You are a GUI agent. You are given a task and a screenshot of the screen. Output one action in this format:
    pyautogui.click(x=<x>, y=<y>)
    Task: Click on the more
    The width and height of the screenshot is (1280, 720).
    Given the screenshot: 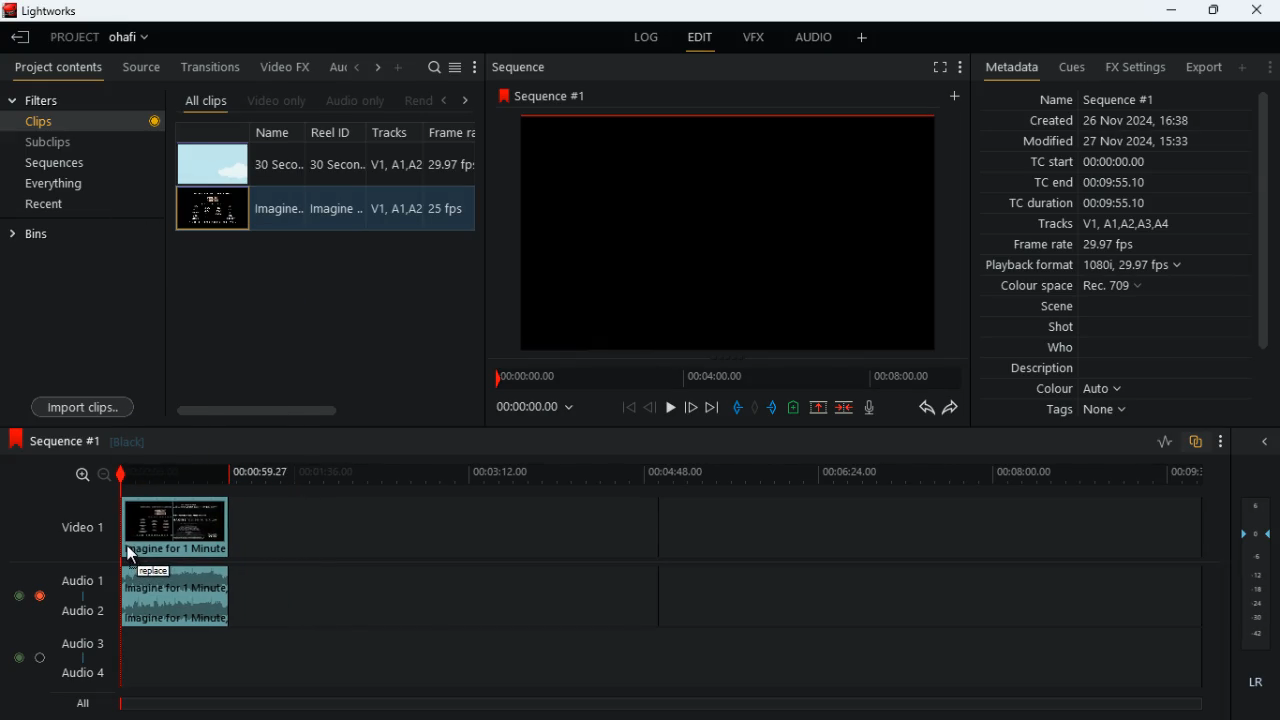 What is the action you would take?
    pyautogui.click(x=475, y=67)
    